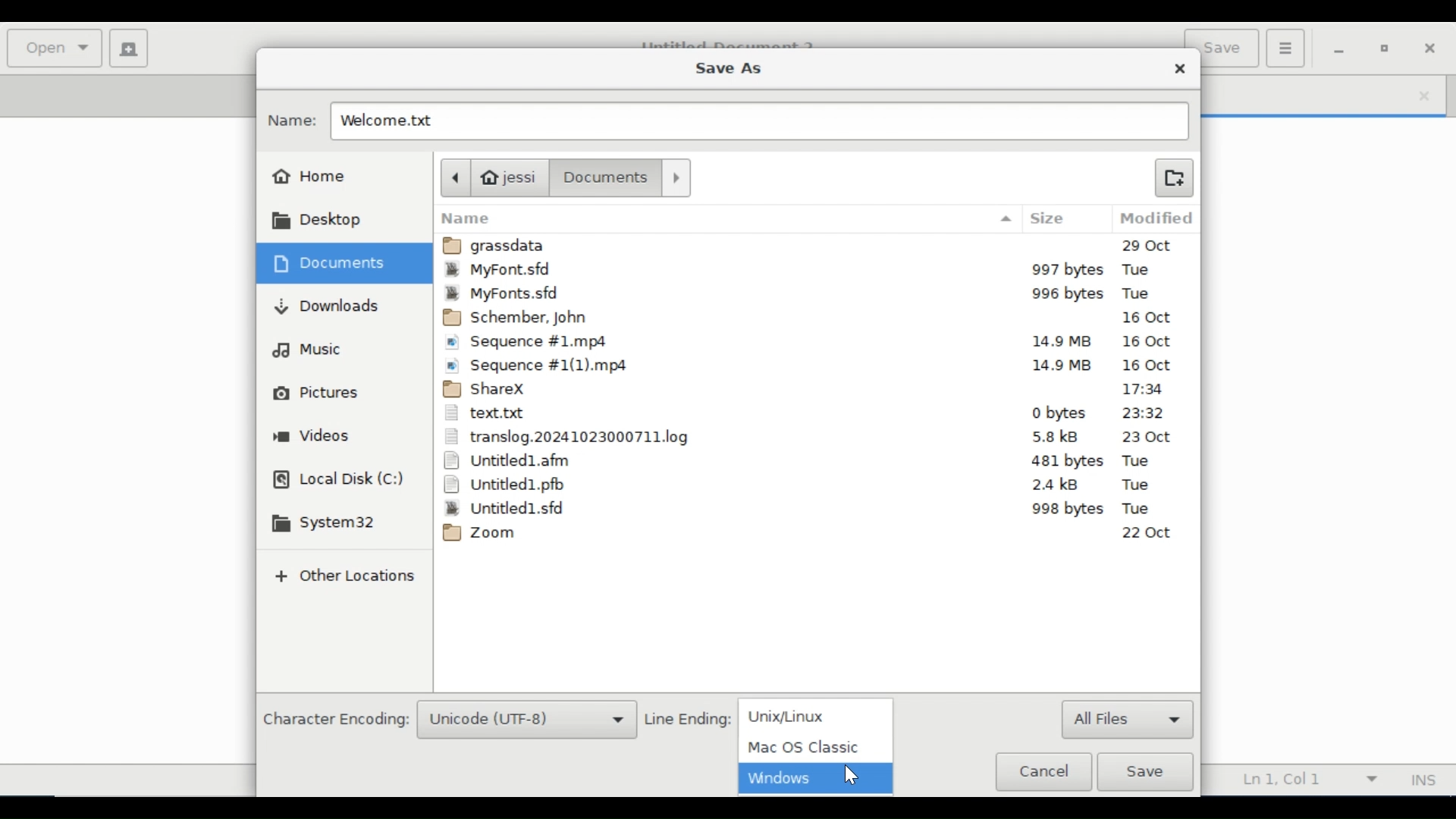  What do you see at coordinates (347, 576) in the screenshot?
I see `Add Other Locations` at bounding box center [347, 576].